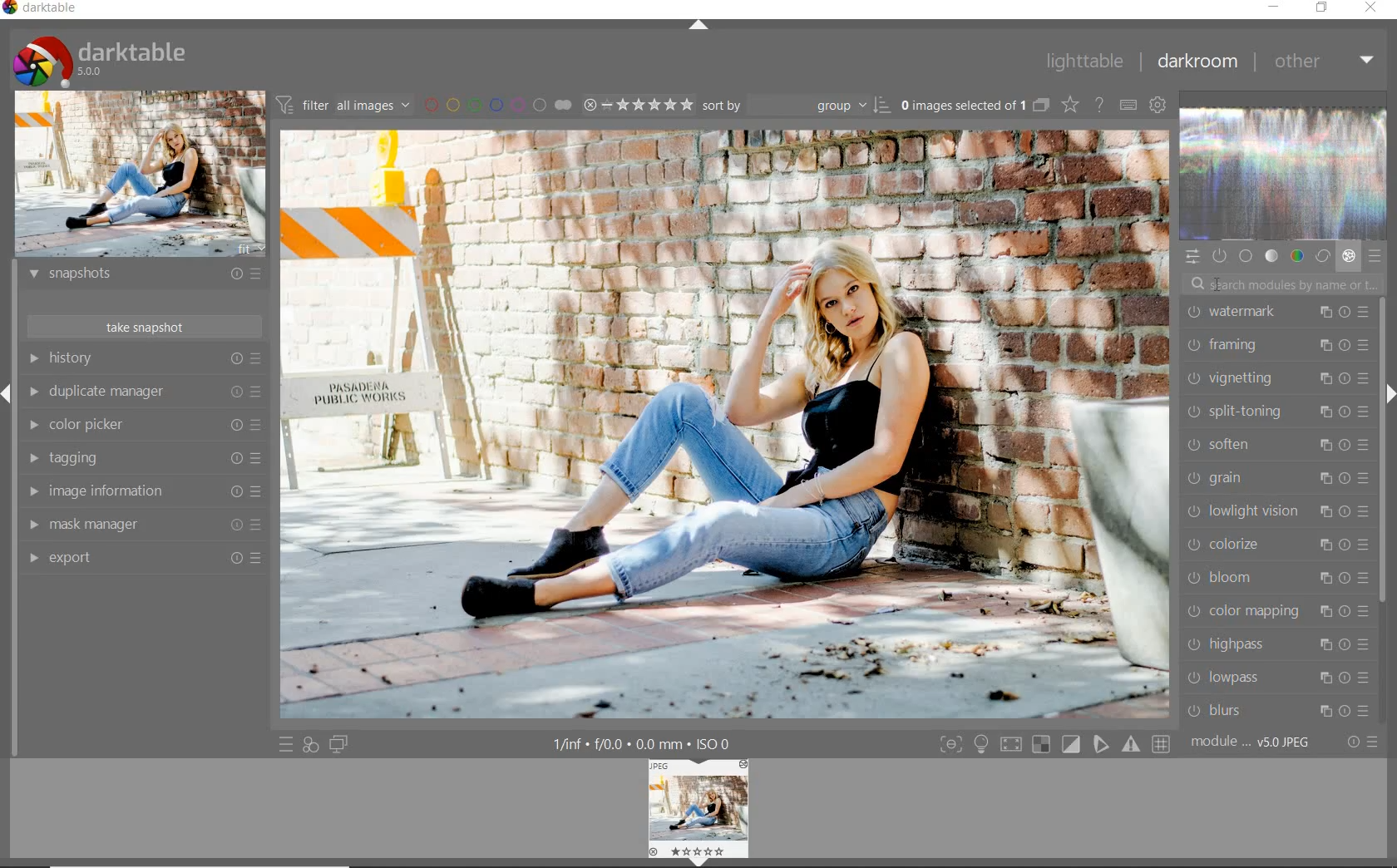 The width and height of the screenshot is (1397, 868). Describe the element at coordinates (1197, 62) in the screenshot. I see `darkroom` at that location.